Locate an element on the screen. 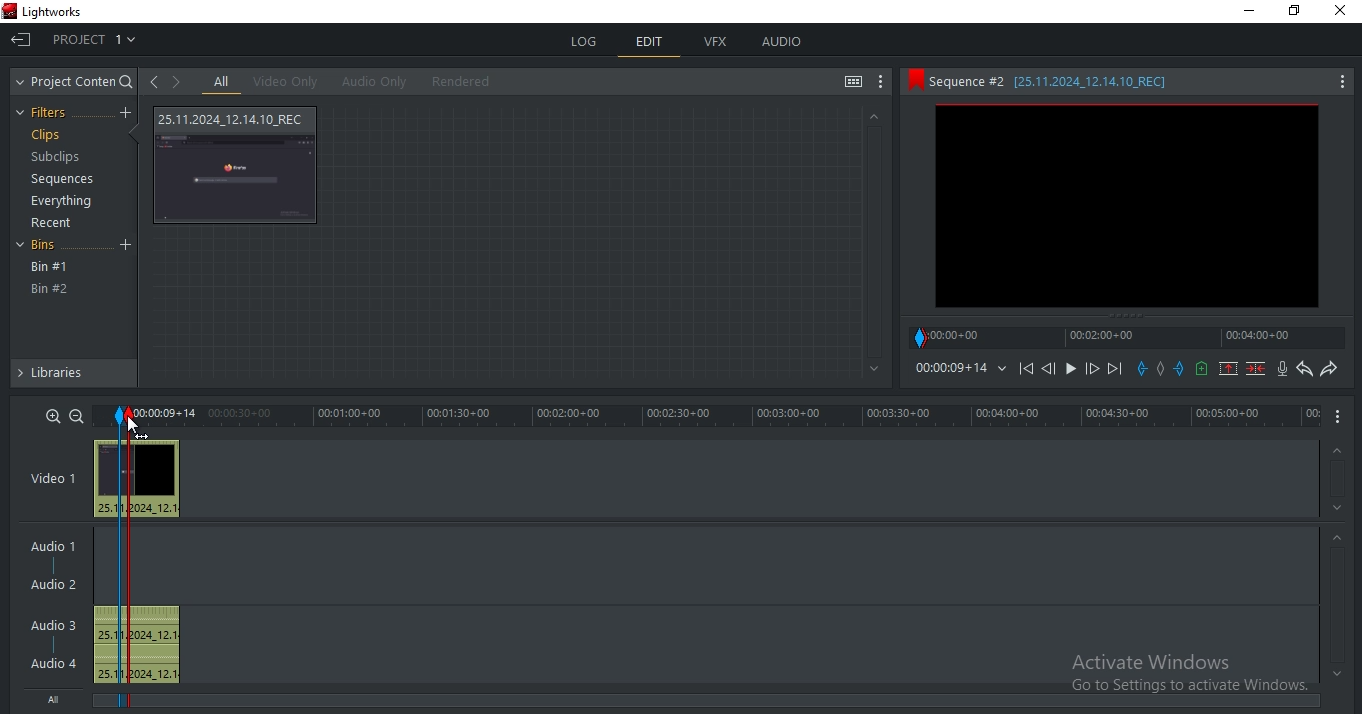  audio only is located at coordinates (371, 82).